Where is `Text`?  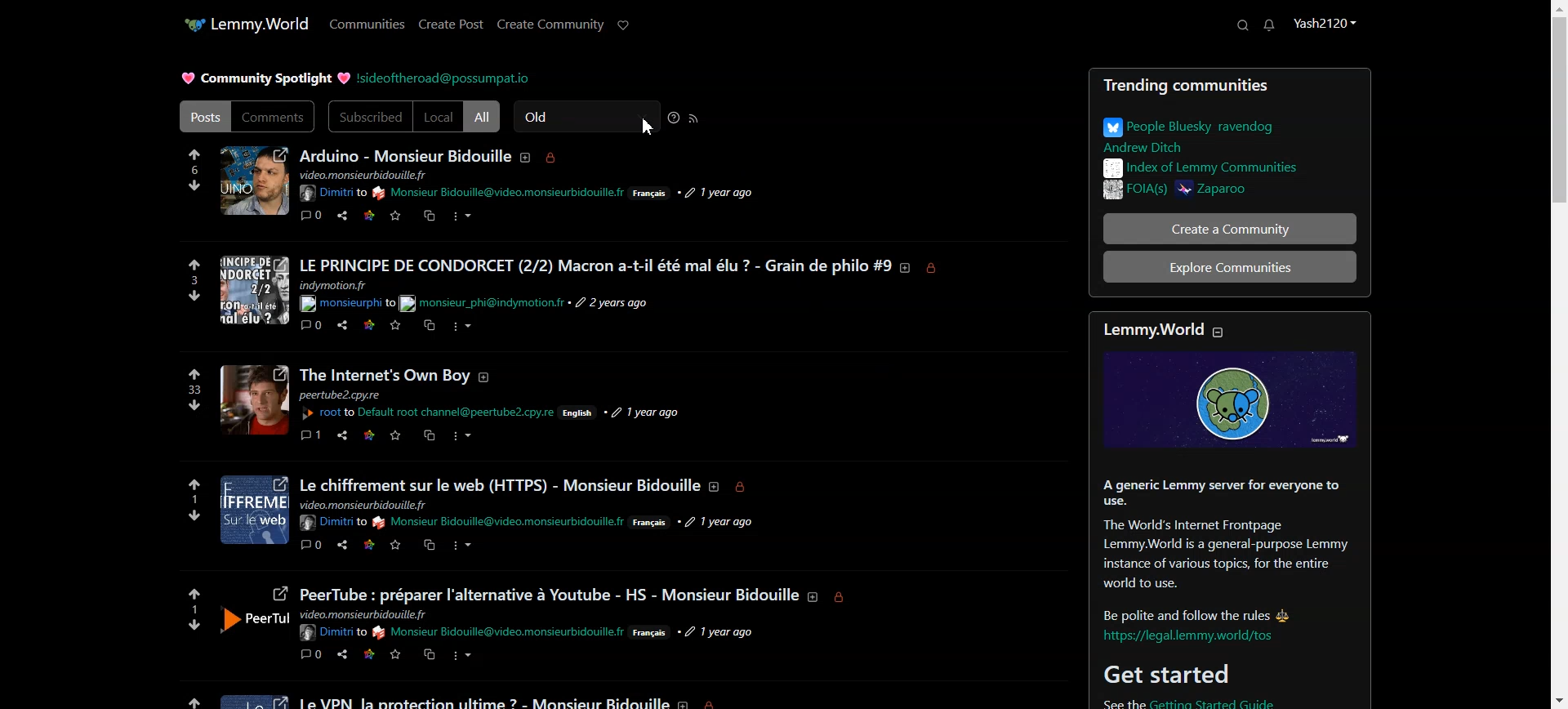
Text is located at coordinates (1224, 167).